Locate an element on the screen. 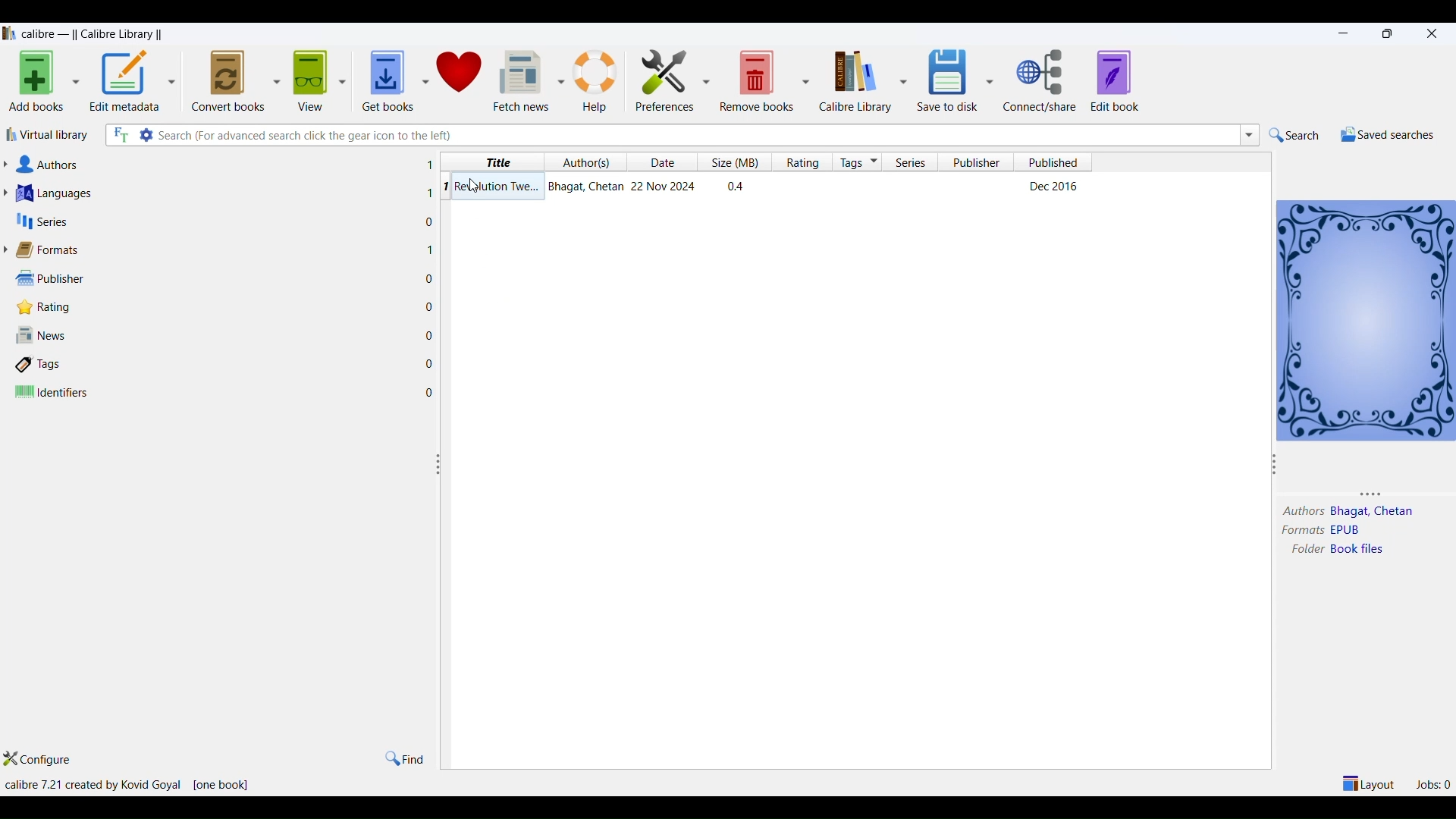 The height and width of the screenshot is (819, 1456). full text search  is located at coordinates (121, 136).